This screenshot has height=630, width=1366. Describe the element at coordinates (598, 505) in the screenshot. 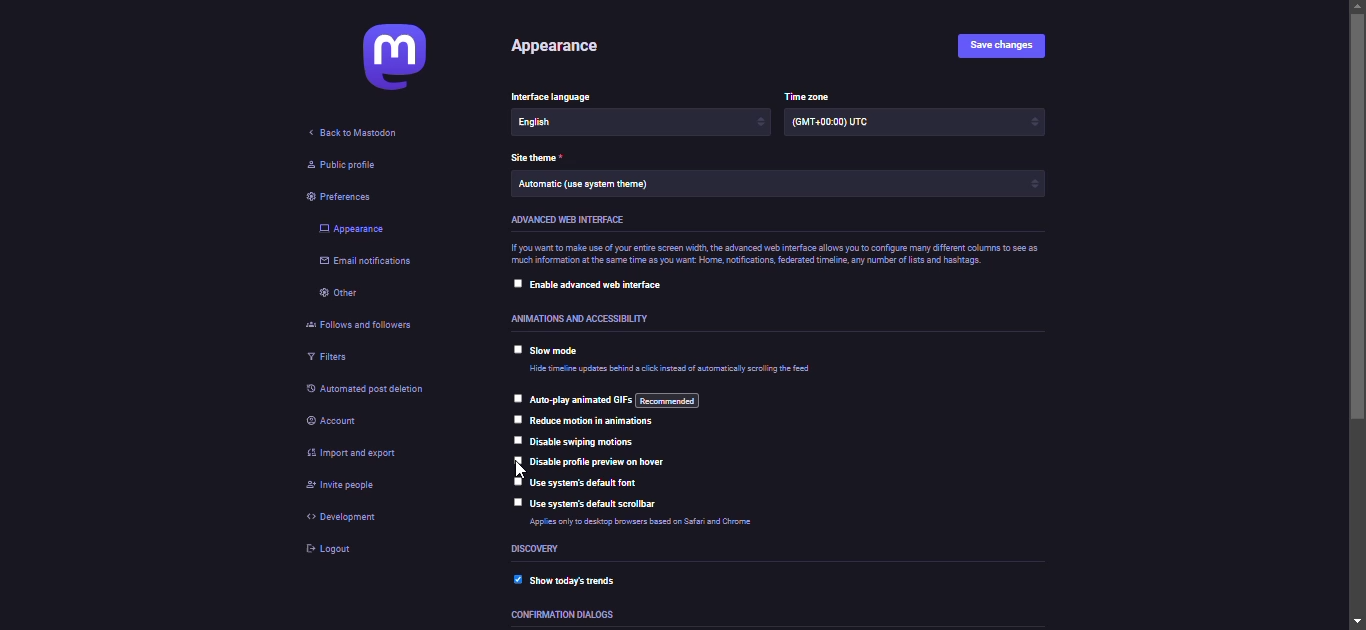

I see `use system's default scrollbar` at that location.